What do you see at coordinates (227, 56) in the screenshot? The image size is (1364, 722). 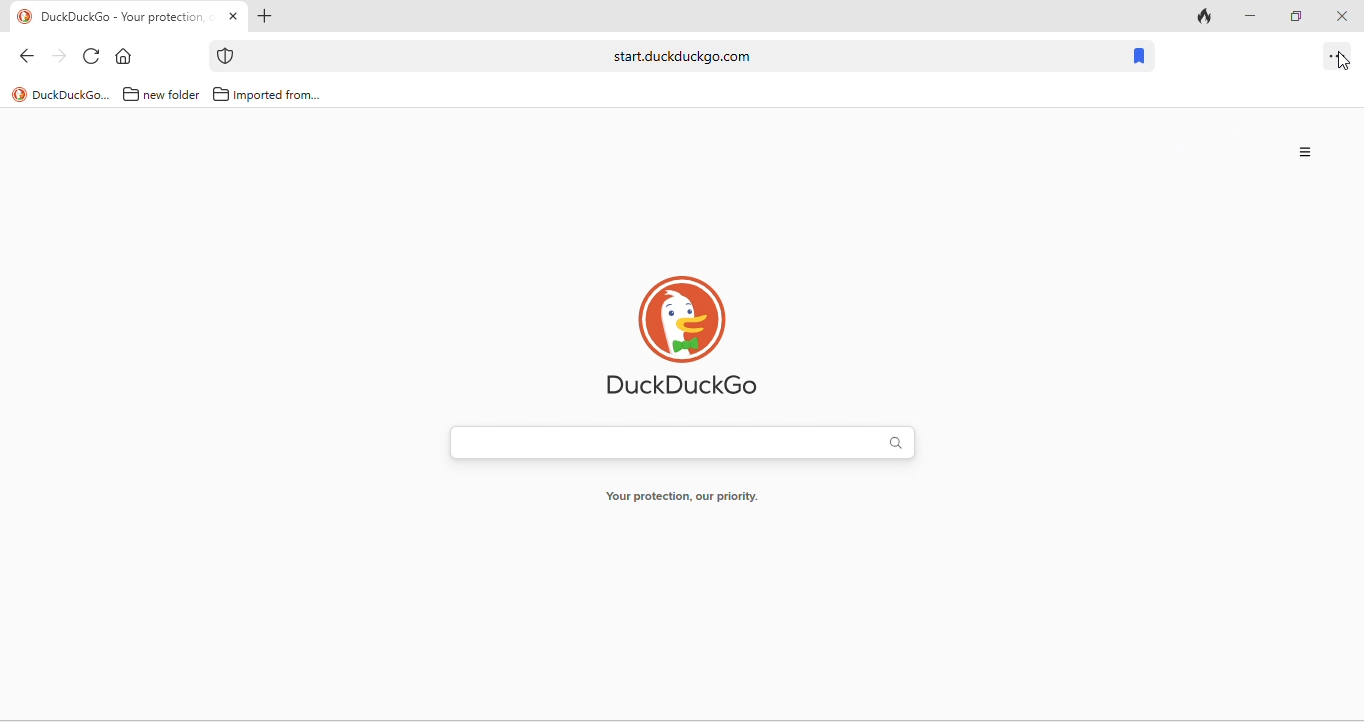 I see `icon` at bounding box center [227, 56].